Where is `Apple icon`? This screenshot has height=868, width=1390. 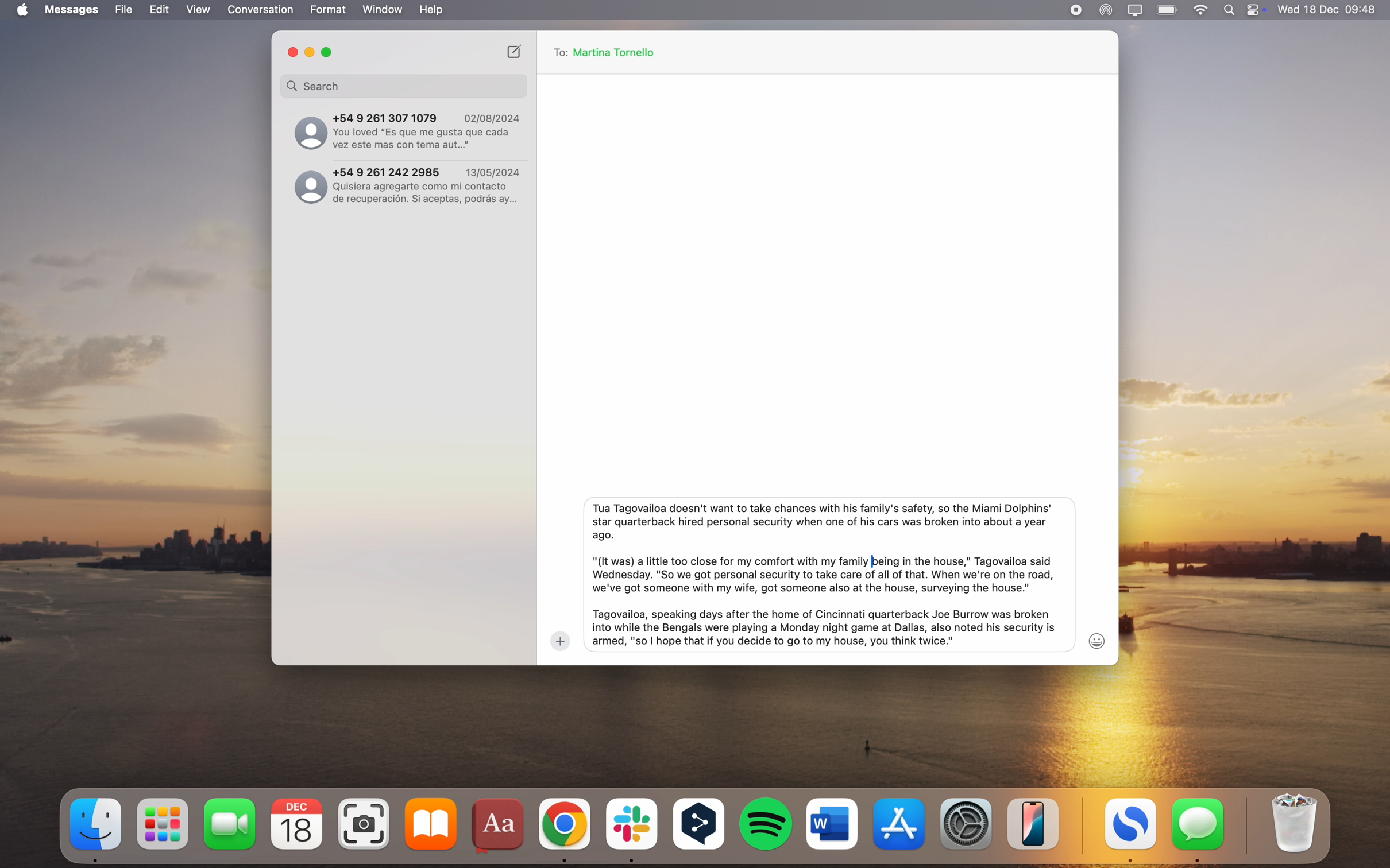 Apple icon is located at coordinates (20, 10).